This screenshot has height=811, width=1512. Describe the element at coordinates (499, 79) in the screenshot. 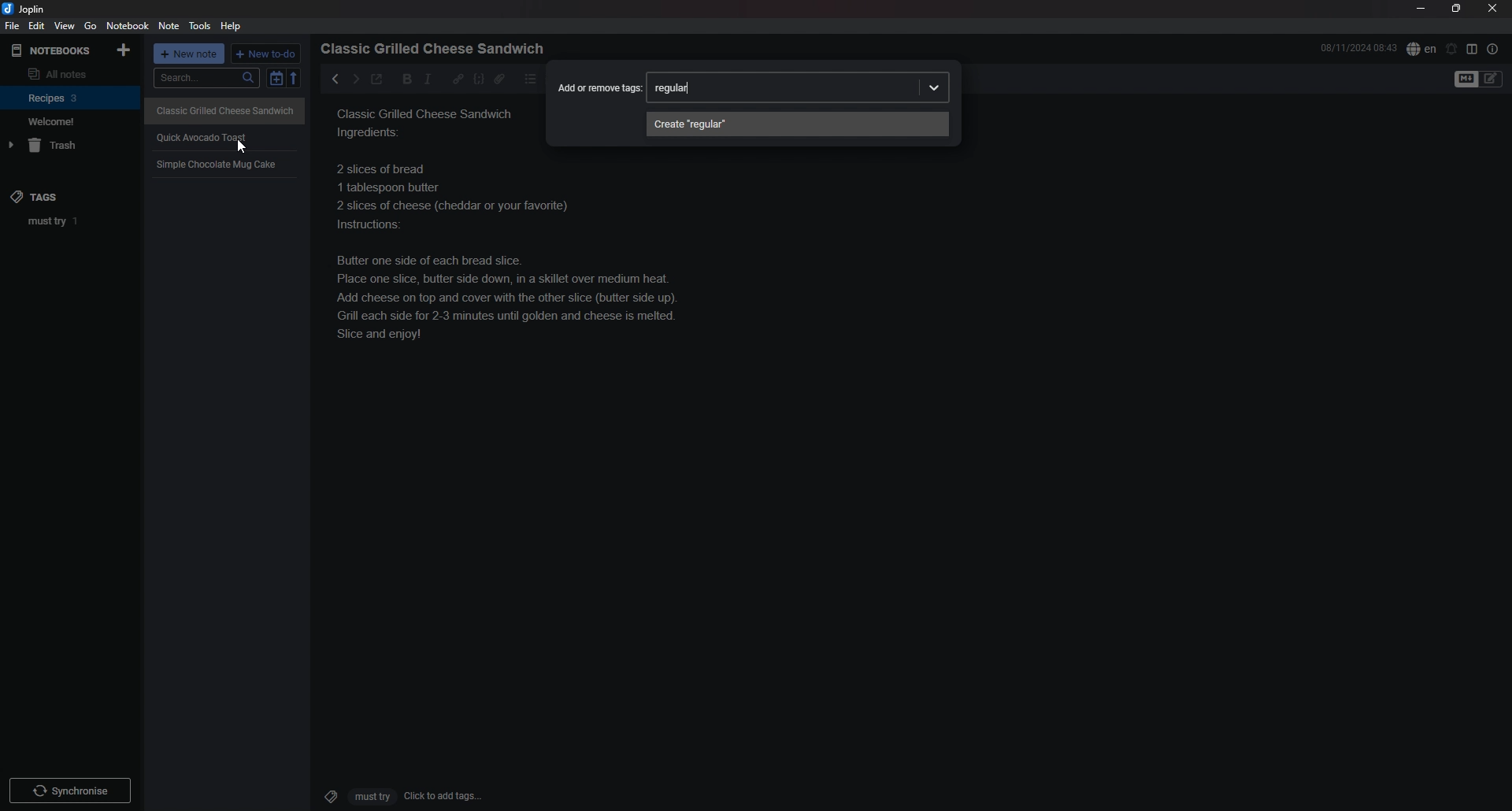

I see `attachment` at that location.